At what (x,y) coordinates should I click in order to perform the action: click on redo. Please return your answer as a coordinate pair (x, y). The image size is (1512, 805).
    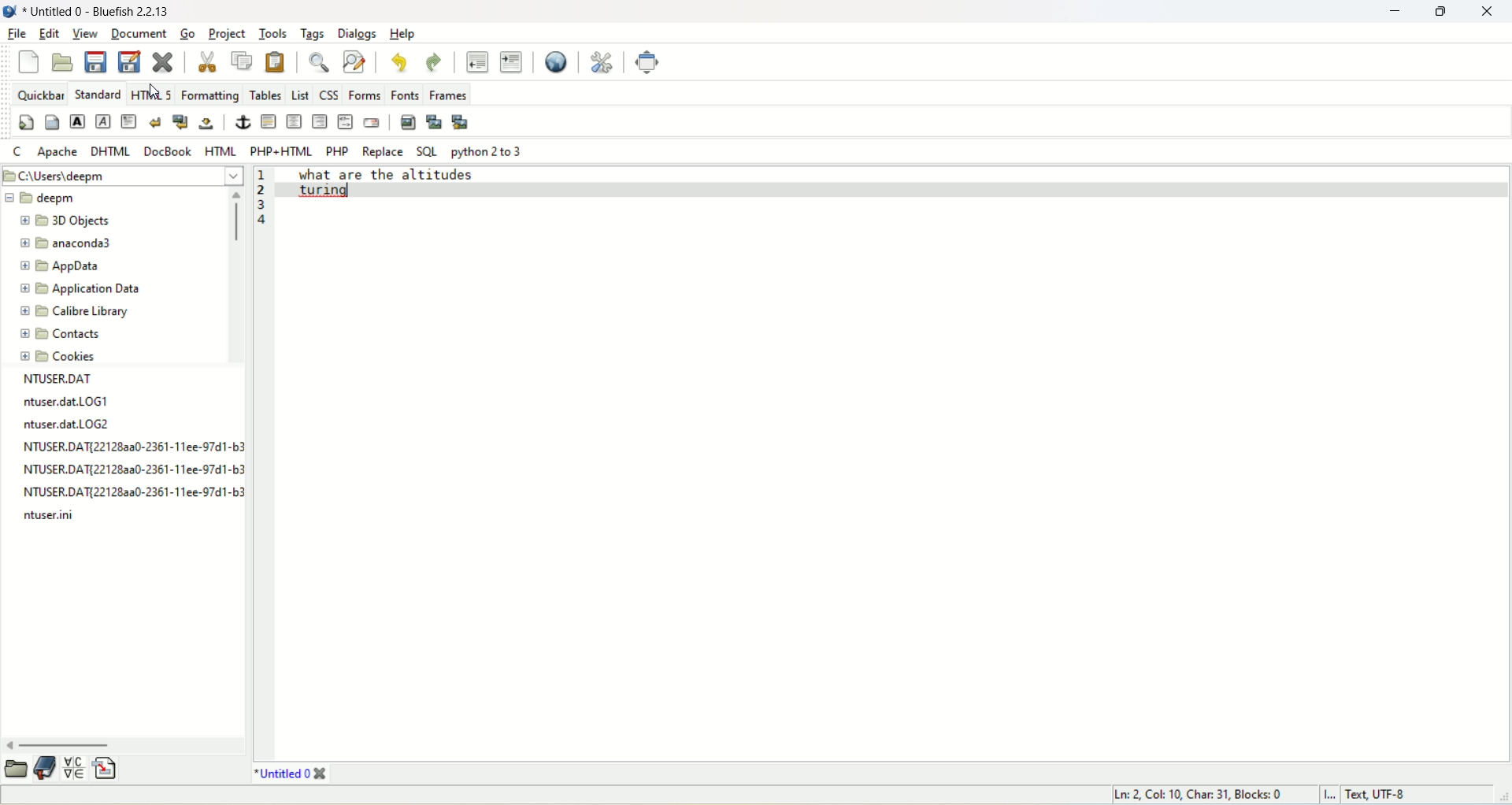
    Looking at the image, I should click on (435, 63).